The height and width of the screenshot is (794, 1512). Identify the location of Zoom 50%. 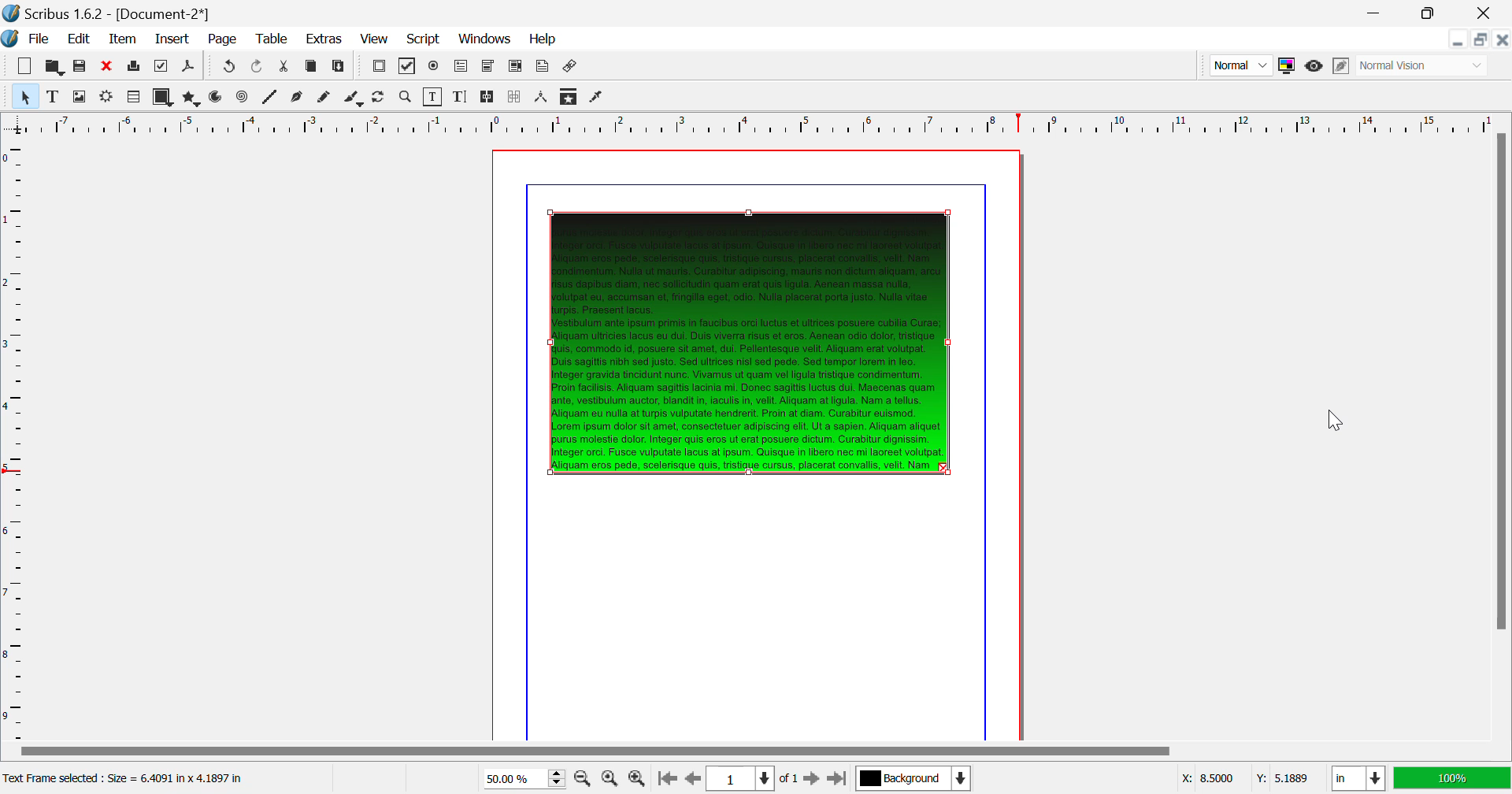
(518, 778).